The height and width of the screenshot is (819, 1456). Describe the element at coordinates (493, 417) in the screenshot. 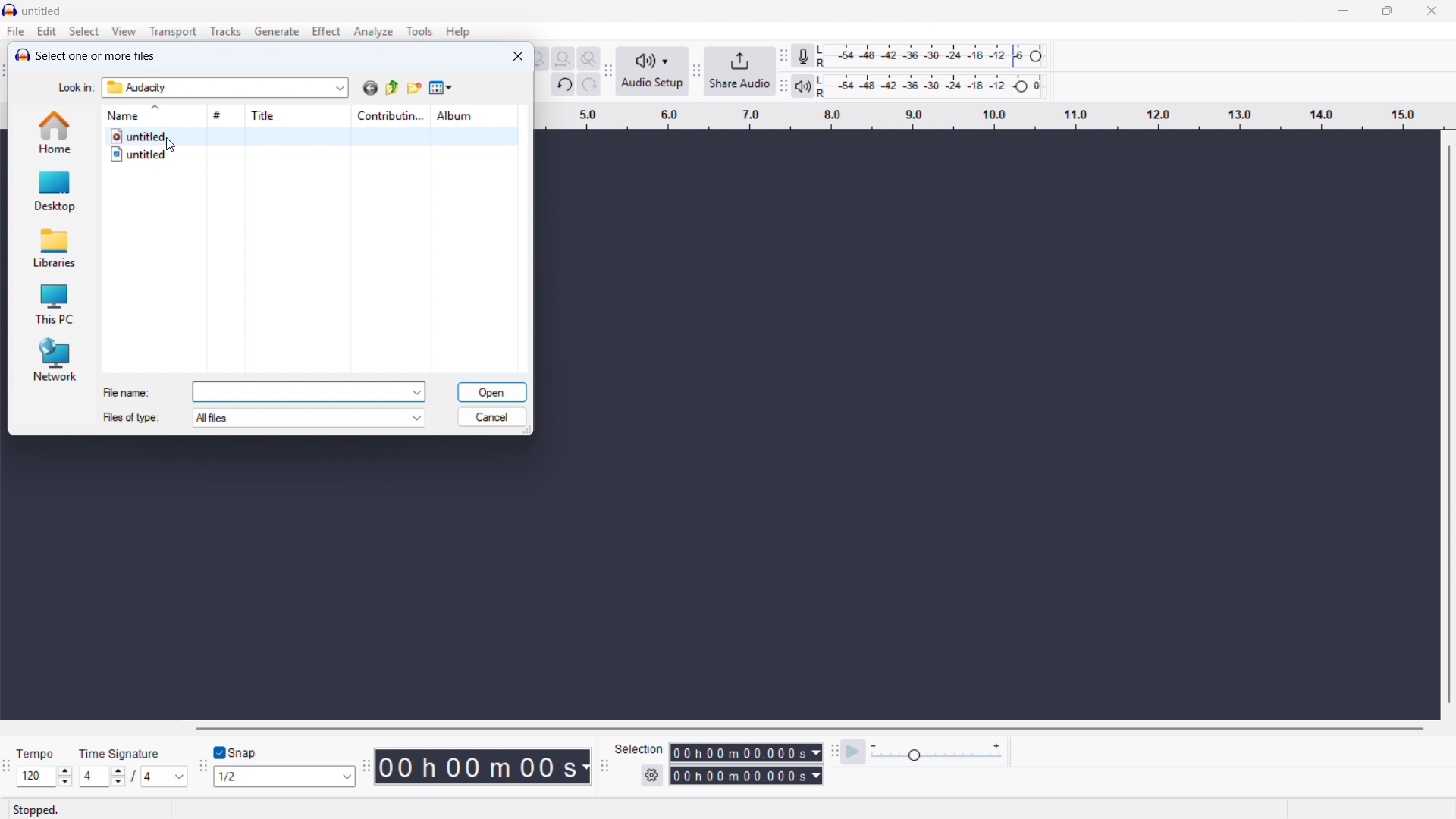

I see `Cancel ` at that location.